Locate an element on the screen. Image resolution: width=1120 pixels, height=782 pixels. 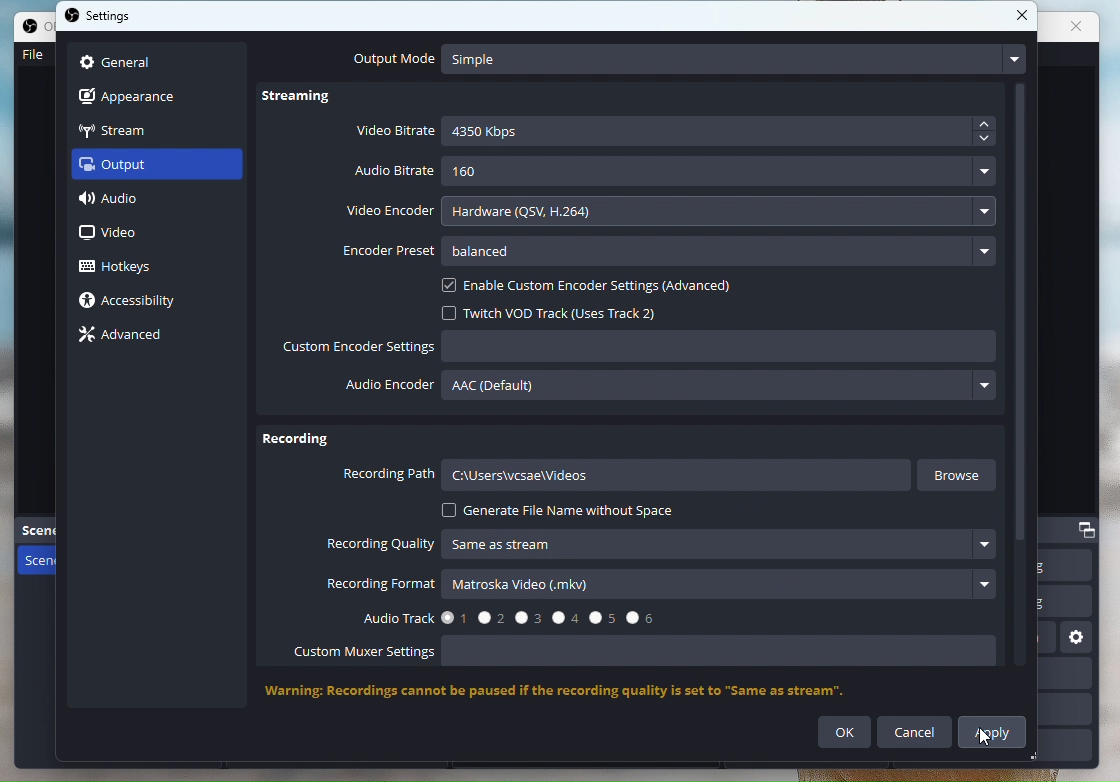
Warning is located at coordinates (576, 692).